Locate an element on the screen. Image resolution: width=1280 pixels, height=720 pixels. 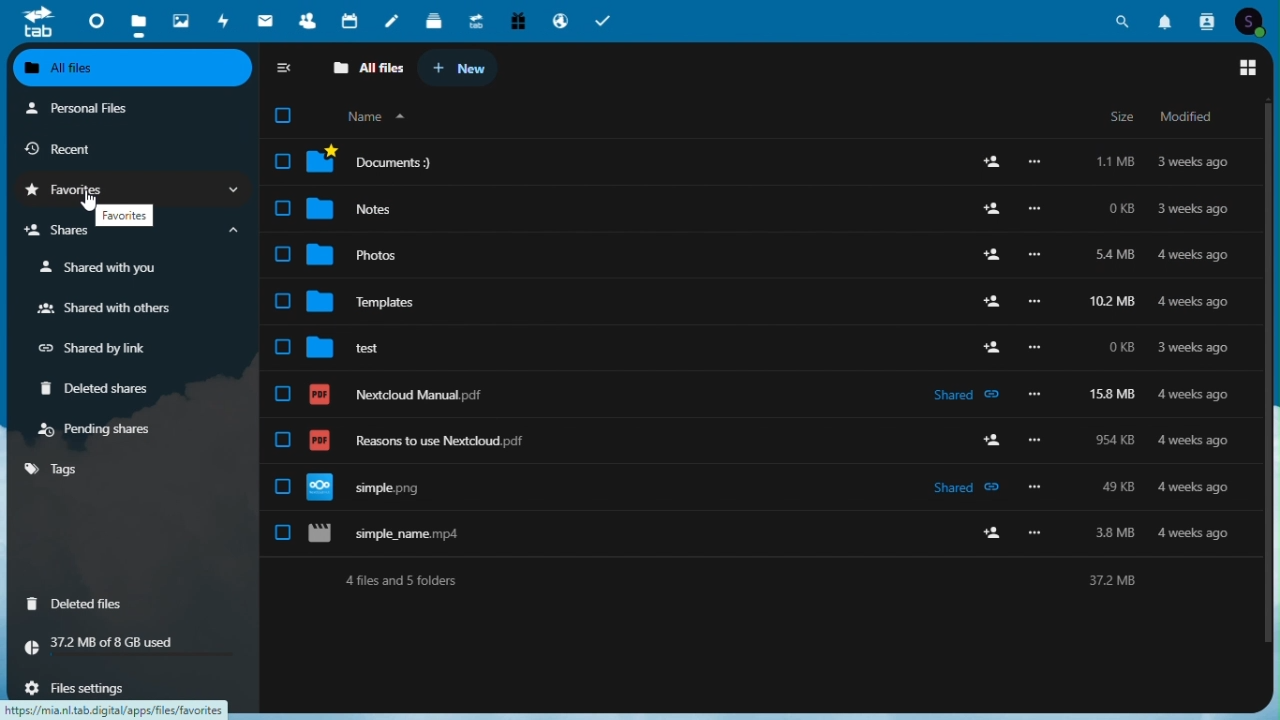
tab is located at coordinates (36, 25).